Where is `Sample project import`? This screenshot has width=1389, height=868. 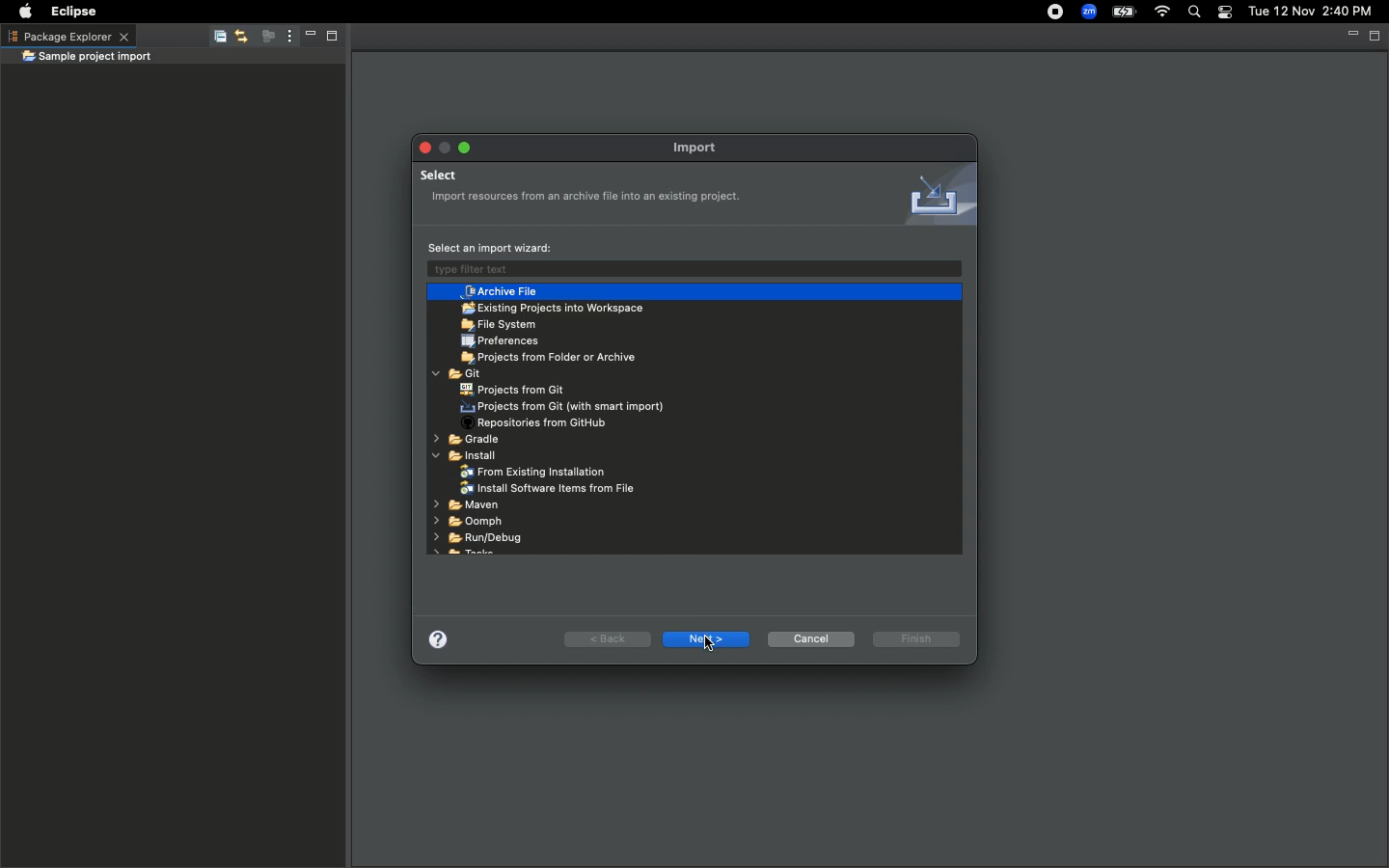 Sample project import is located at coordinates (87, 58).